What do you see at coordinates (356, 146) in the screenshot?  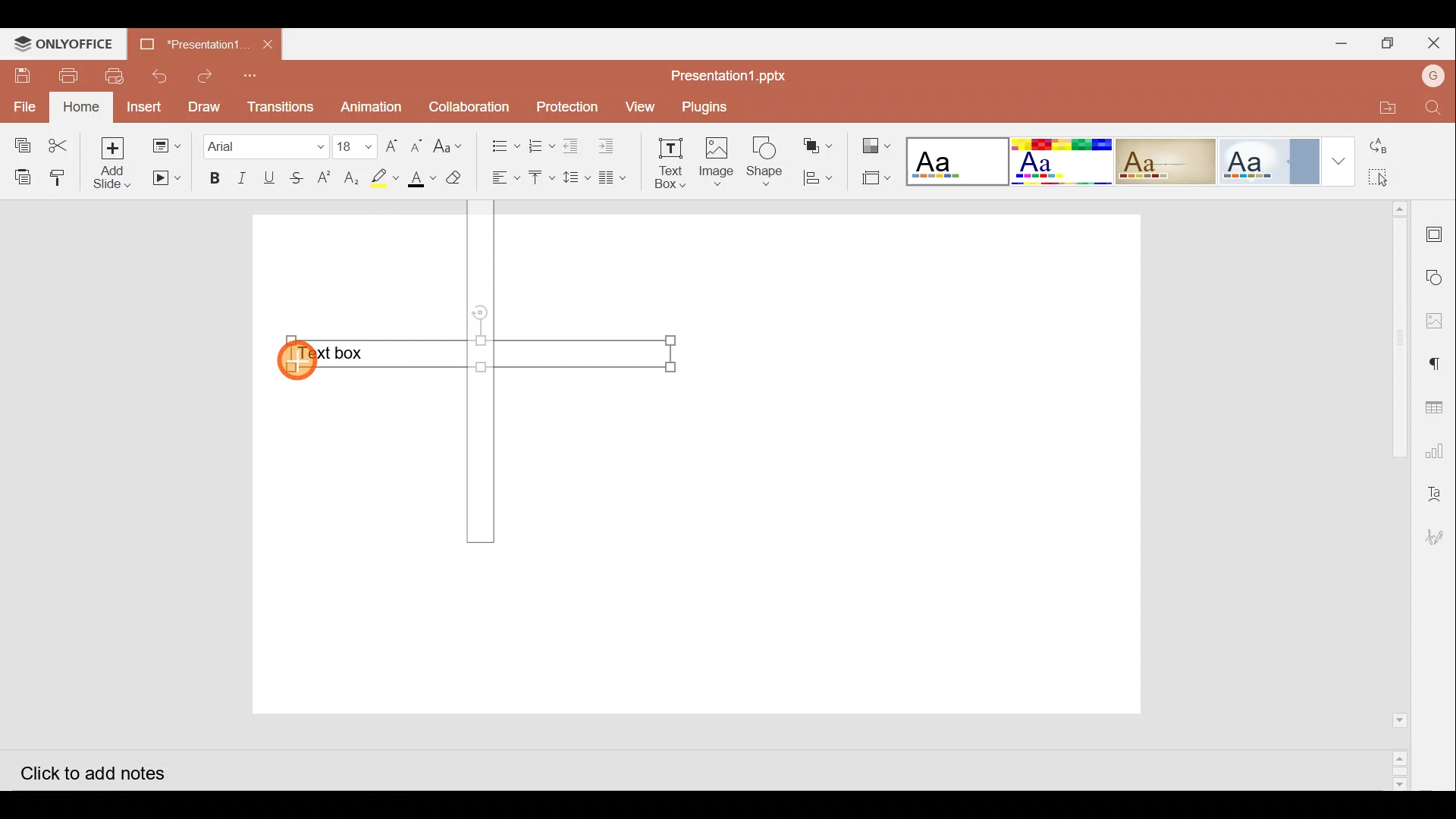 I see `Font size` at bounding box center [356, 146].